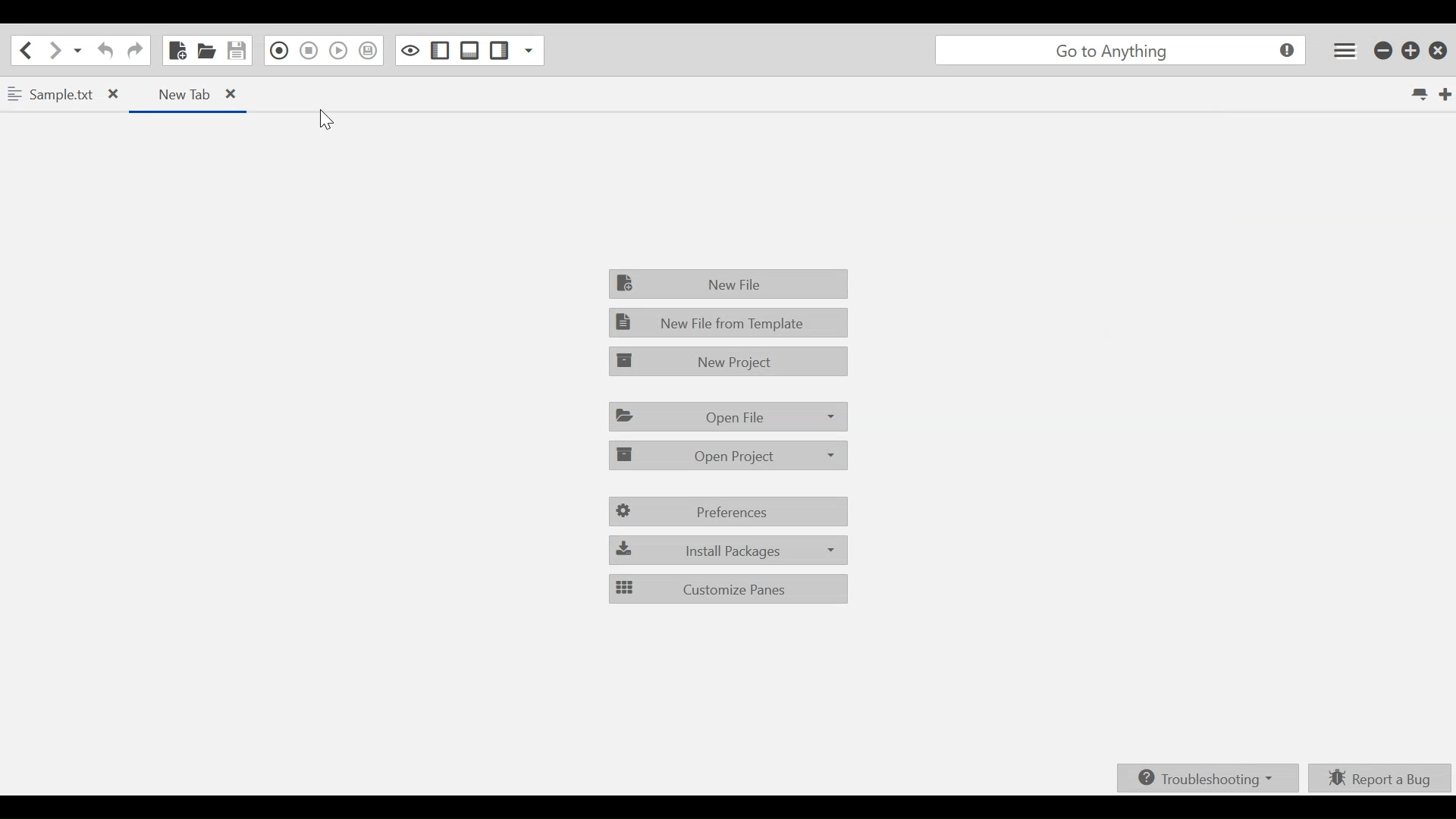 This screenshot has height=819, width=1456. What do you see at coordinates (206, 51) in the screenshot?
I see `Open File` at bounding box center [206, 51].